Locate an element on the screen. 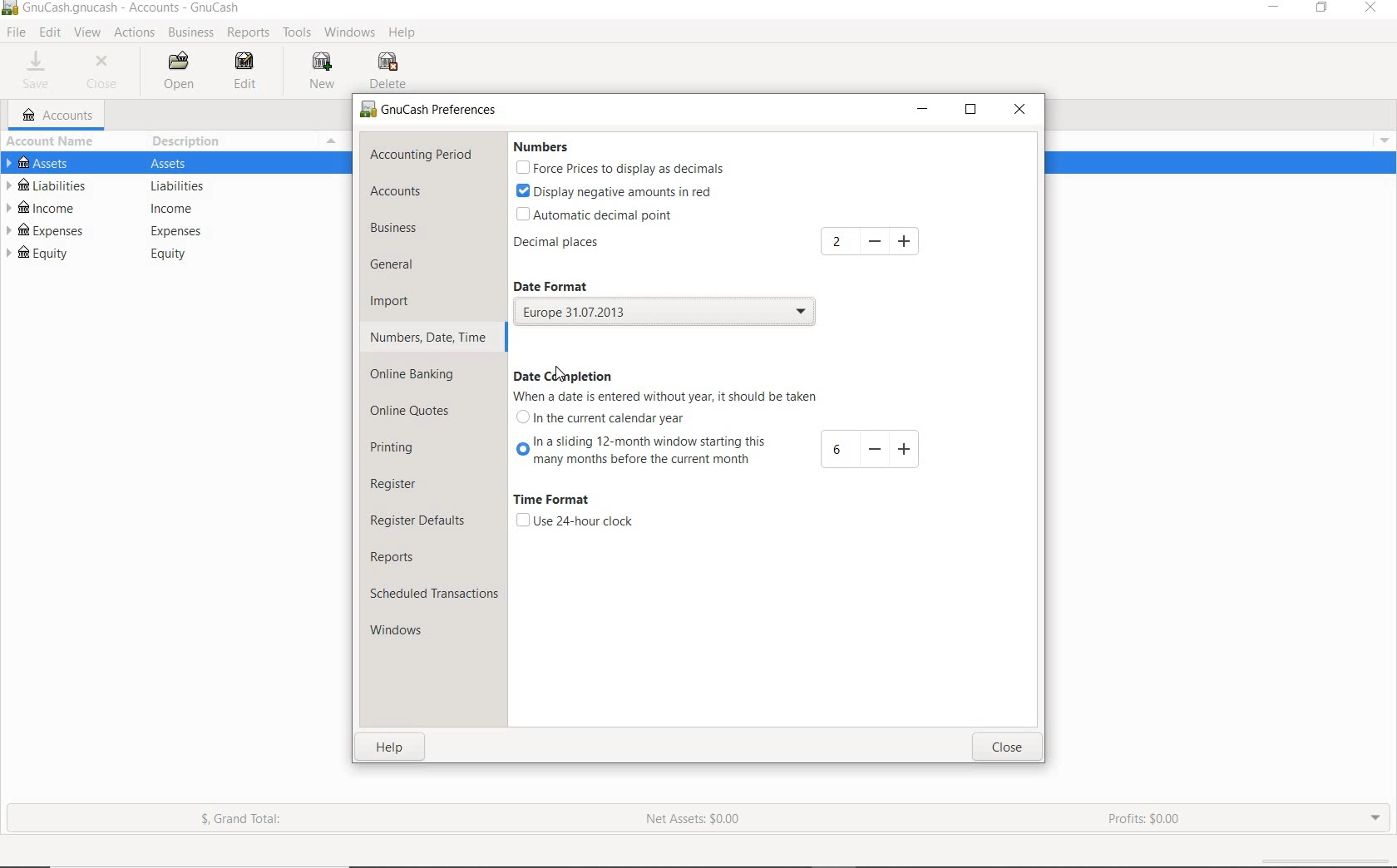  REPORTS is located at coordinates (249, 33).